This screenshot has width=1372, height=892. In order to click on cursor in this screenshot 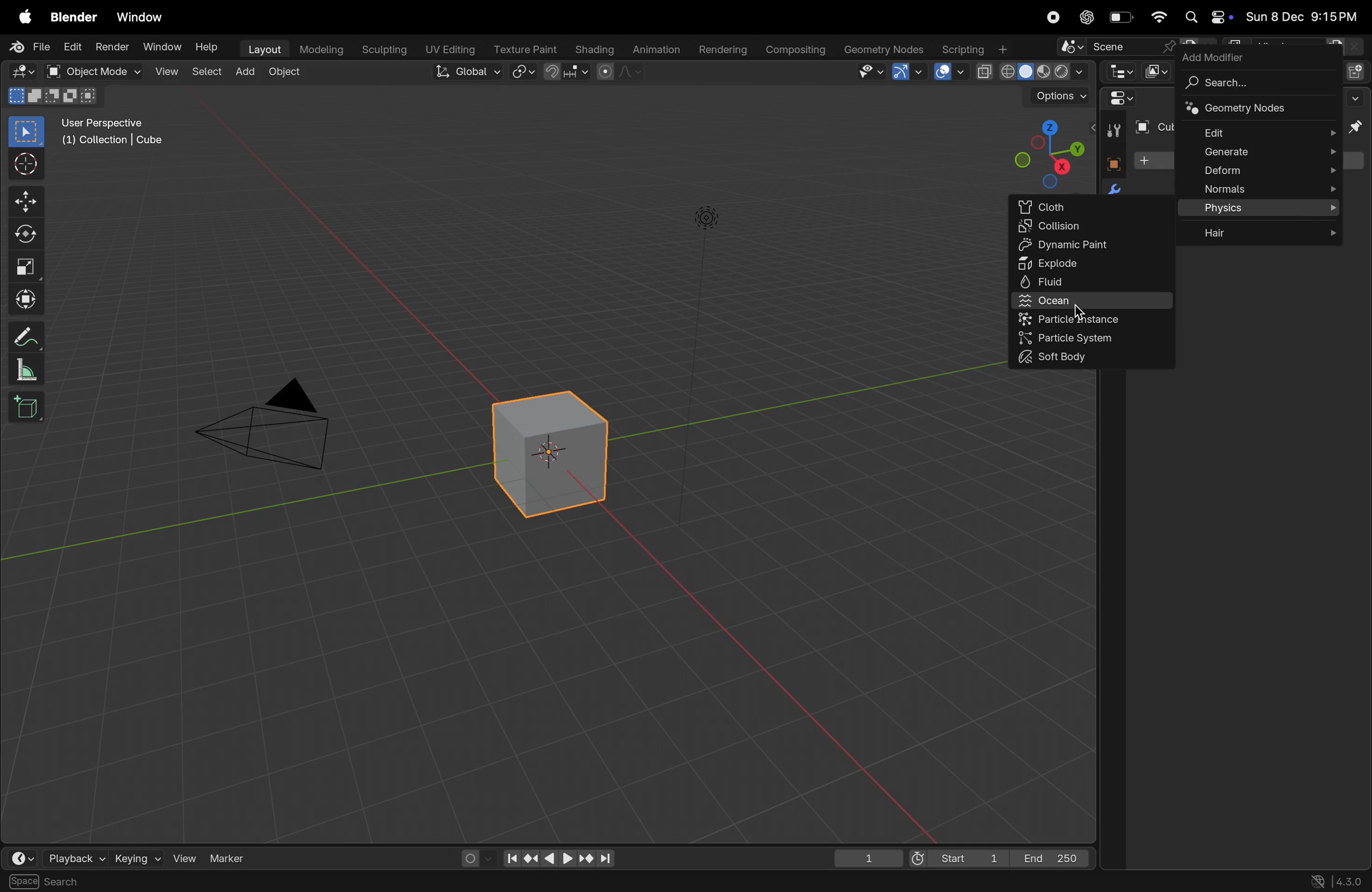, I will do `click(1078, 309)`.